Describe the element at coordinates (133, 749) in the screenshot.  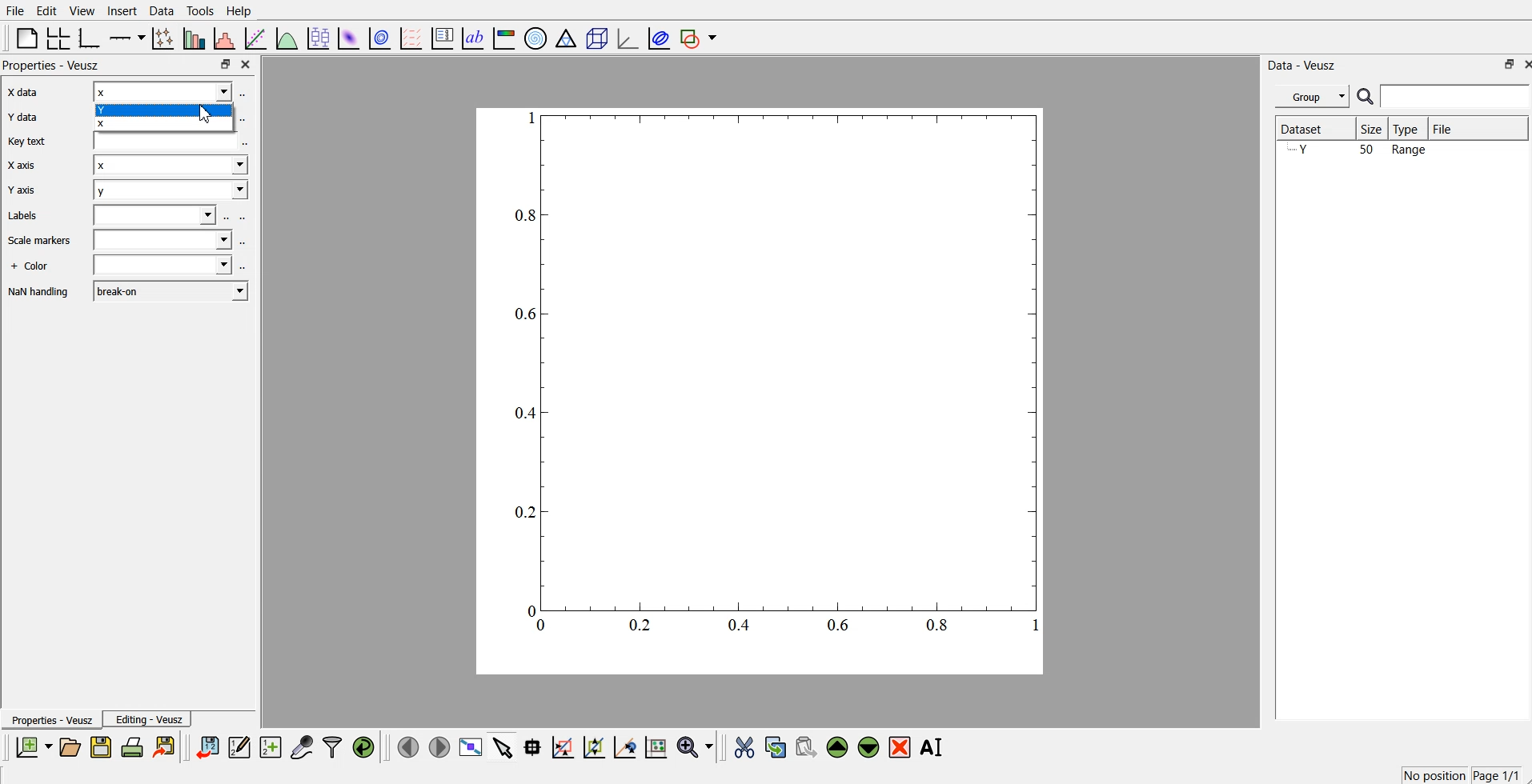
I see `print document` at that location.